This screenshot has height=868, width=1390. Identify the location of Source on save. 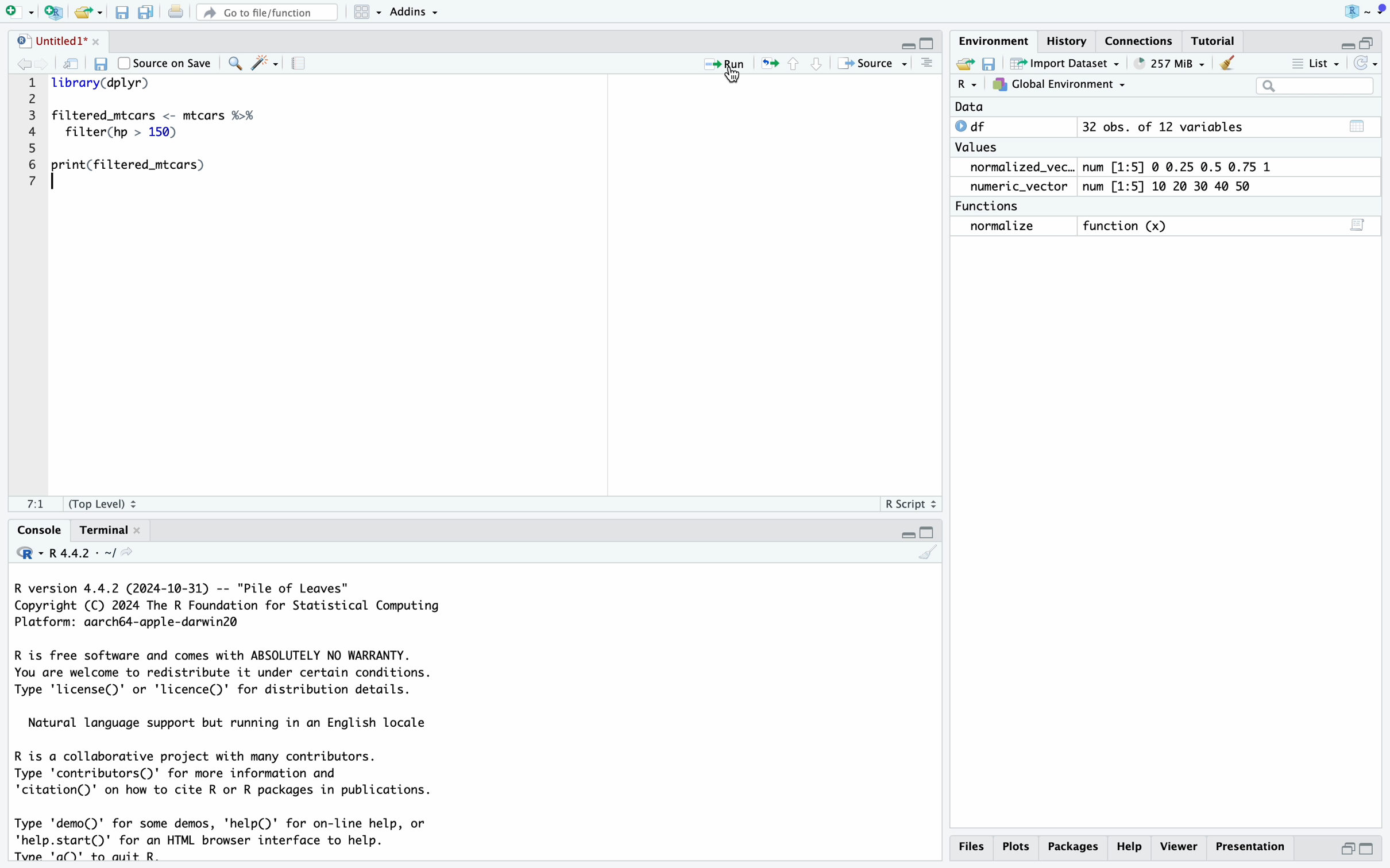
(165, 63).